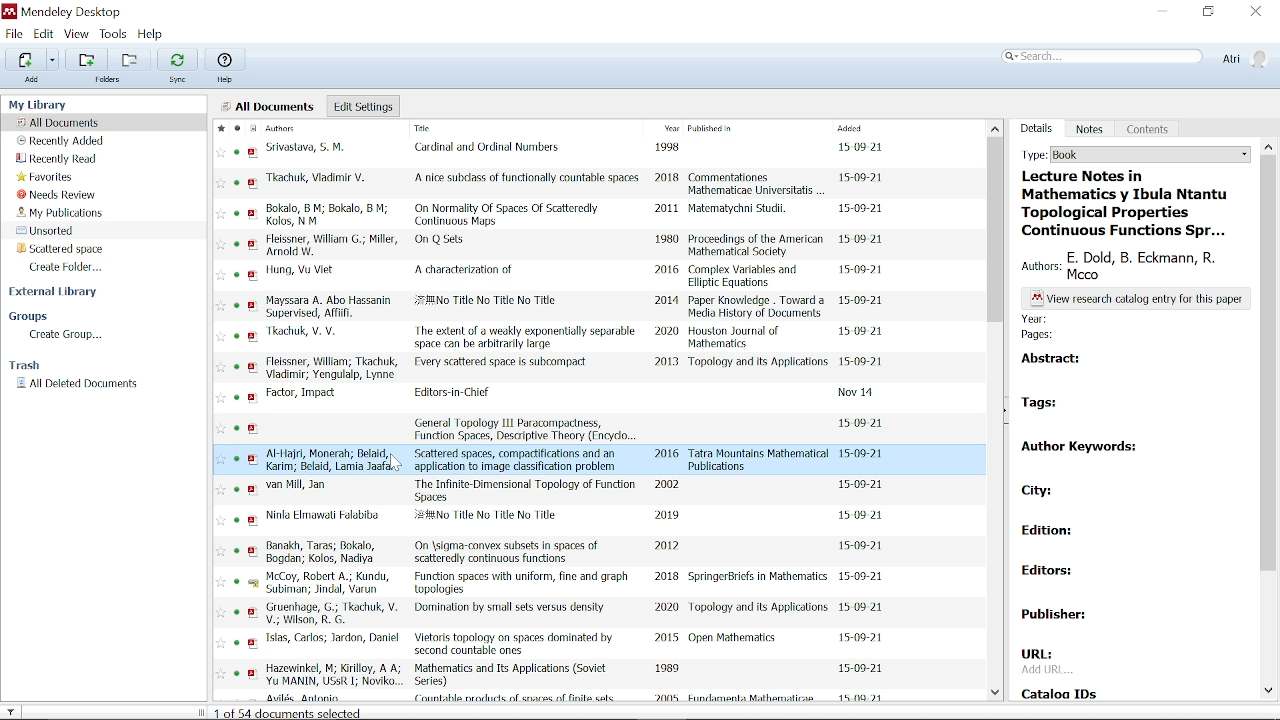 This screenshot has width=1280, height=720. What do you see at coordinates (44, 34) in the screenshot?
I see `Edit` at bounding box center [44, 34].